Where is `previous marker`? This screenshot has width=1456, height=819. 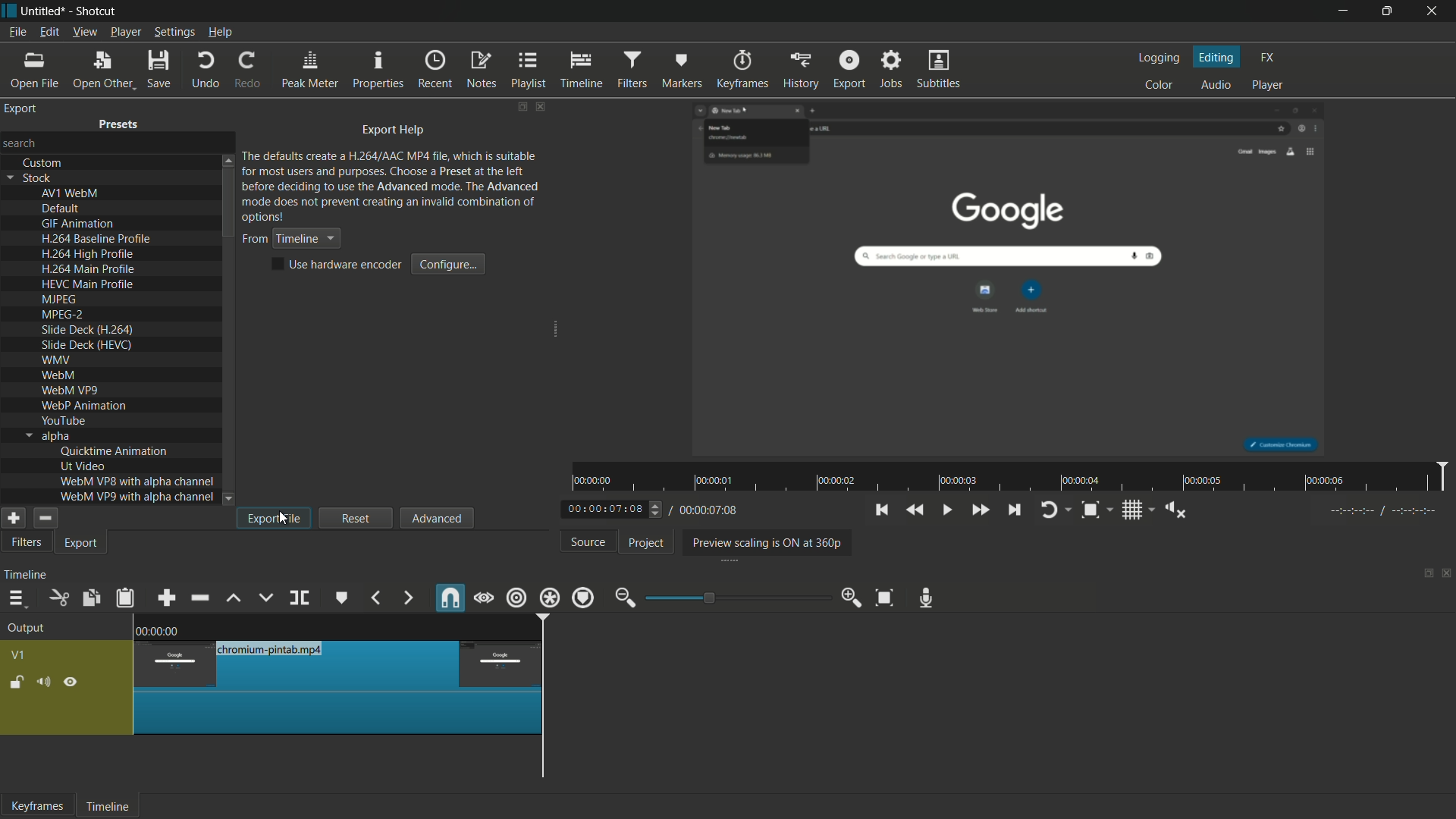 previous marker is located at coordinates (375, 598).